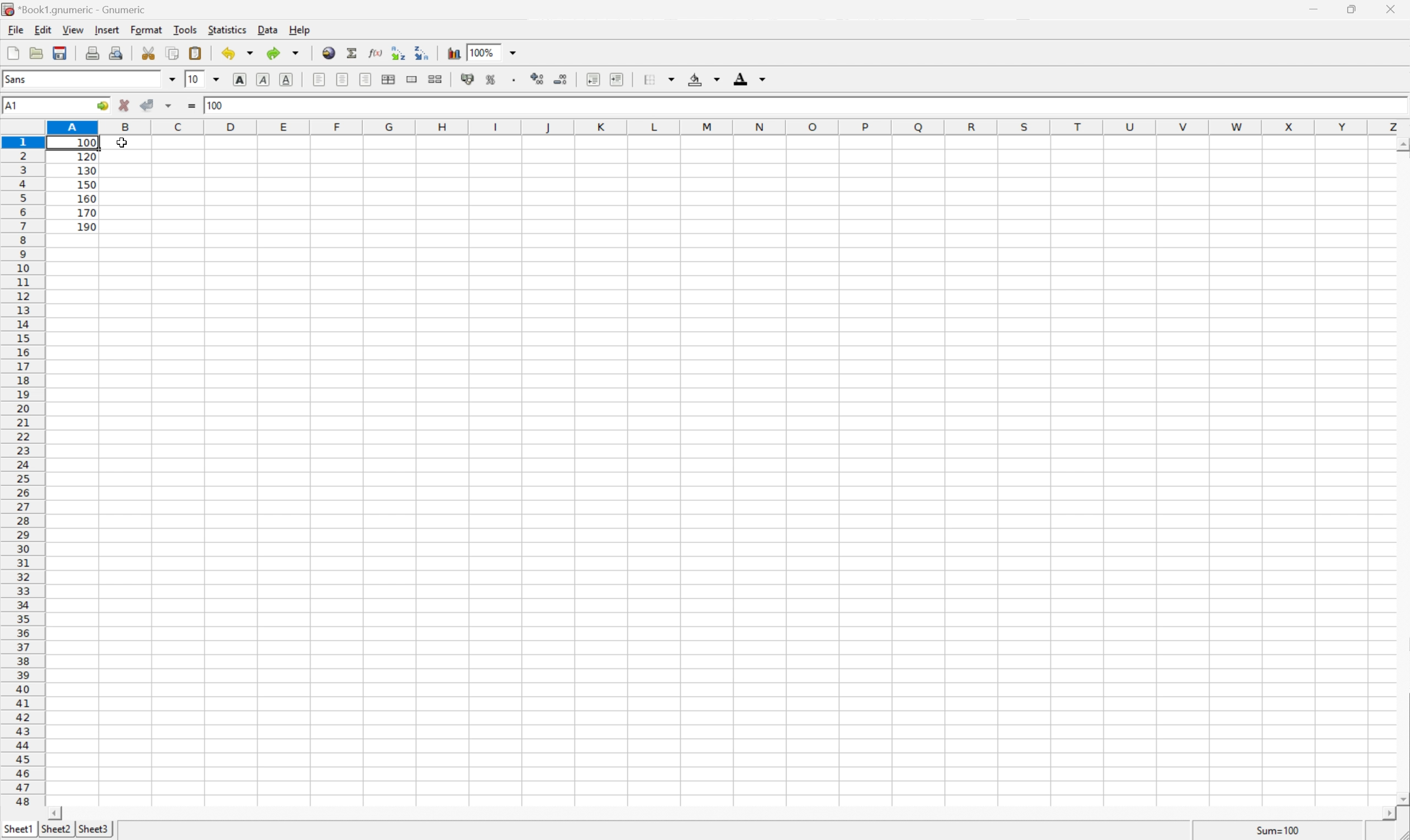 This screenshot has width=1410, height=840. Describe the element at coordinates (749, 79) in the screenshot. I see `Foreground` at that location.